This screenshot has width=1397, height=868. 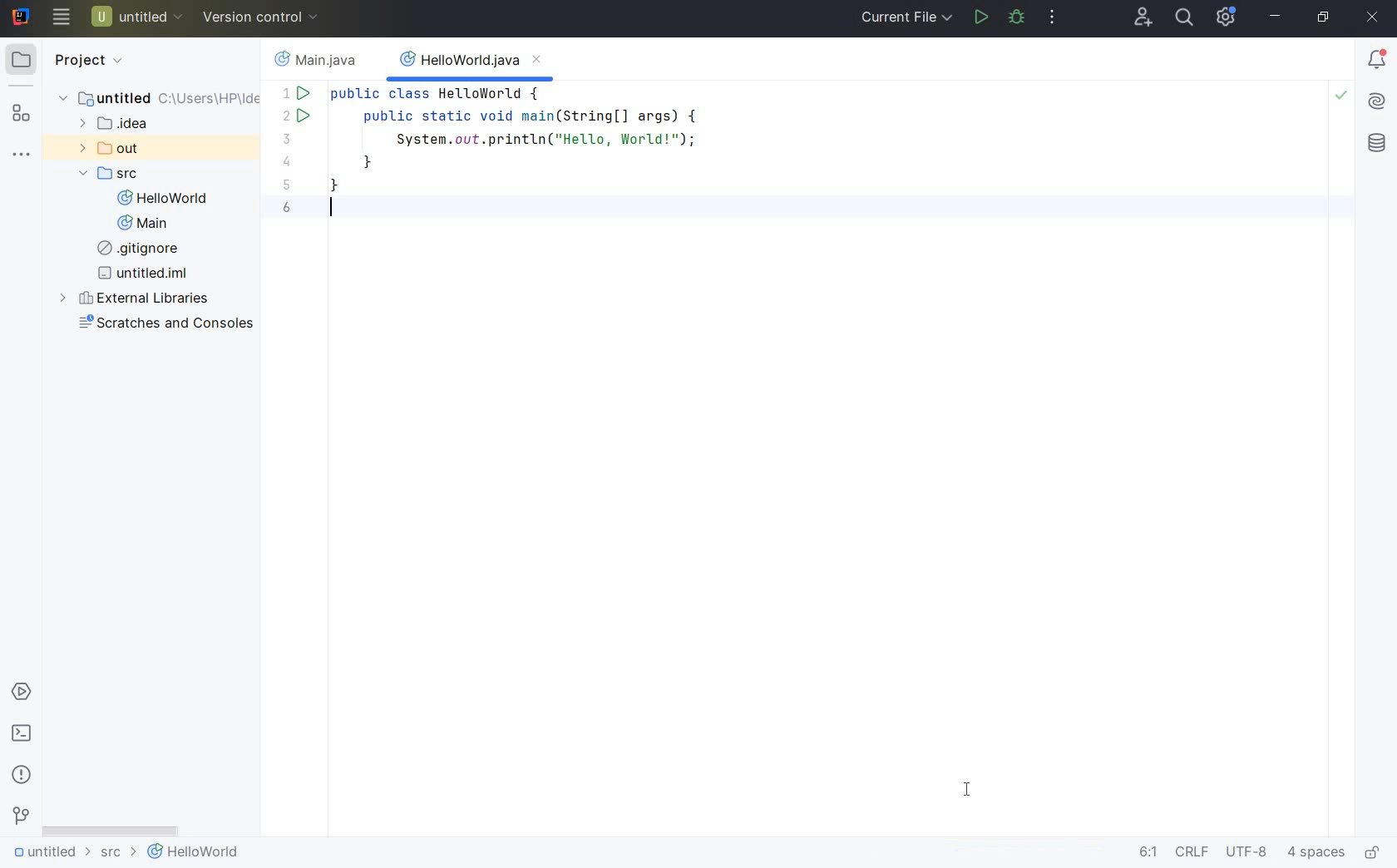 I want to click on IDE & PROJECT SETTINGS, so click(x=1225, y=17).